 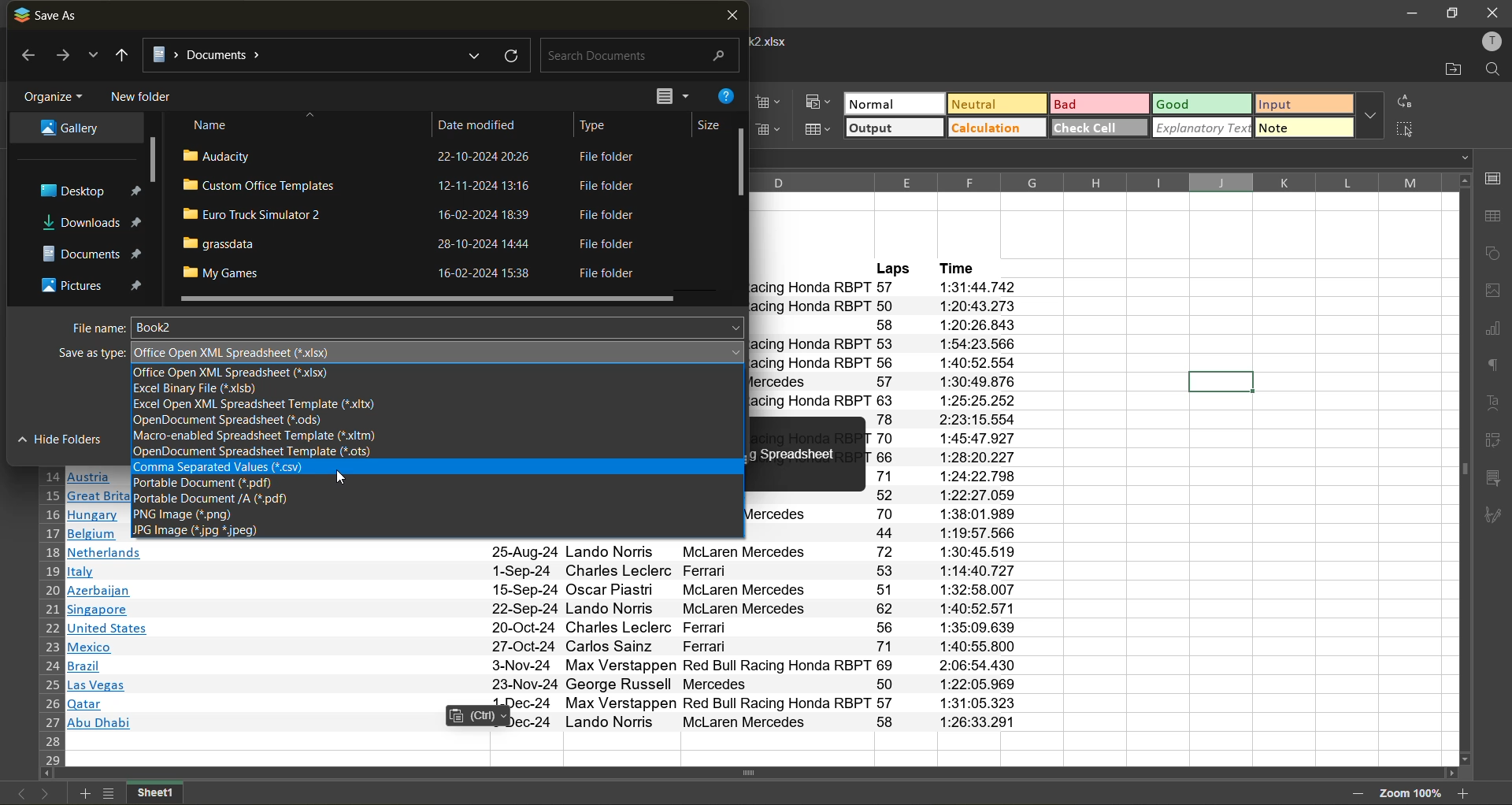 I want to click on note, so click(x=1303, y=127).